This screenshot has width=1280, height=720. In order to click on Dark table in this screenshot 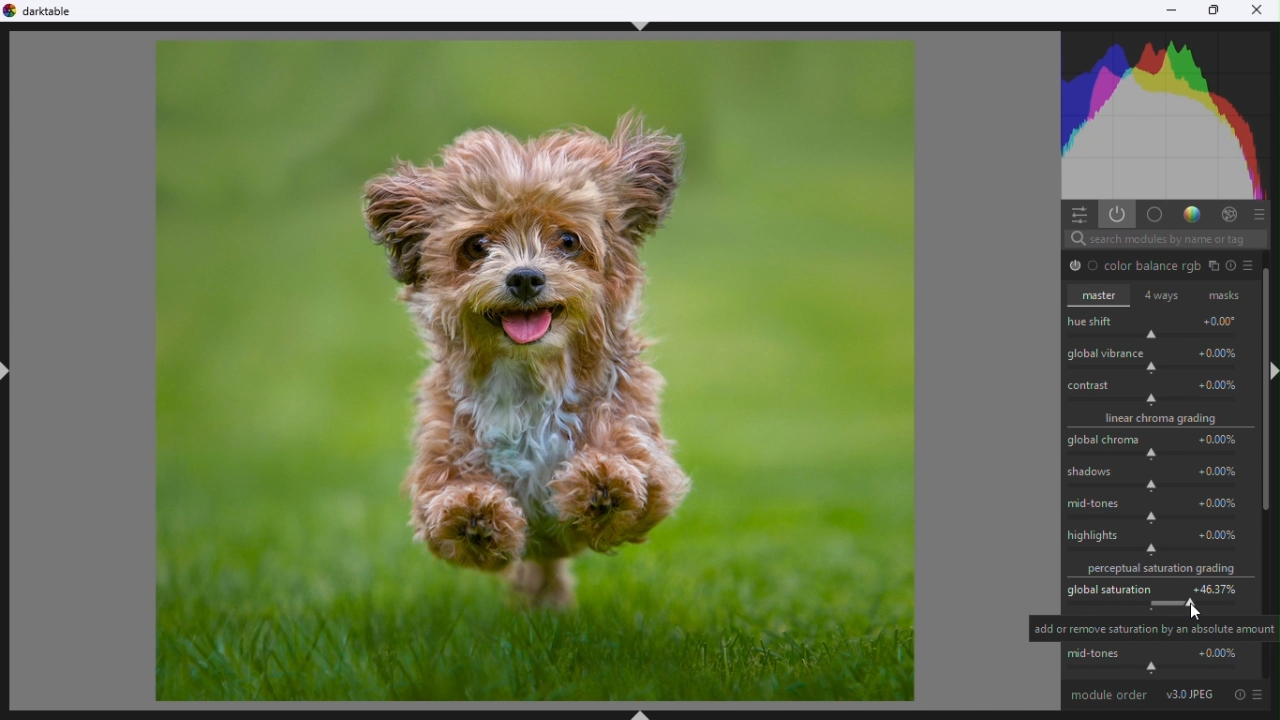, I will do `click(44, 13)`.